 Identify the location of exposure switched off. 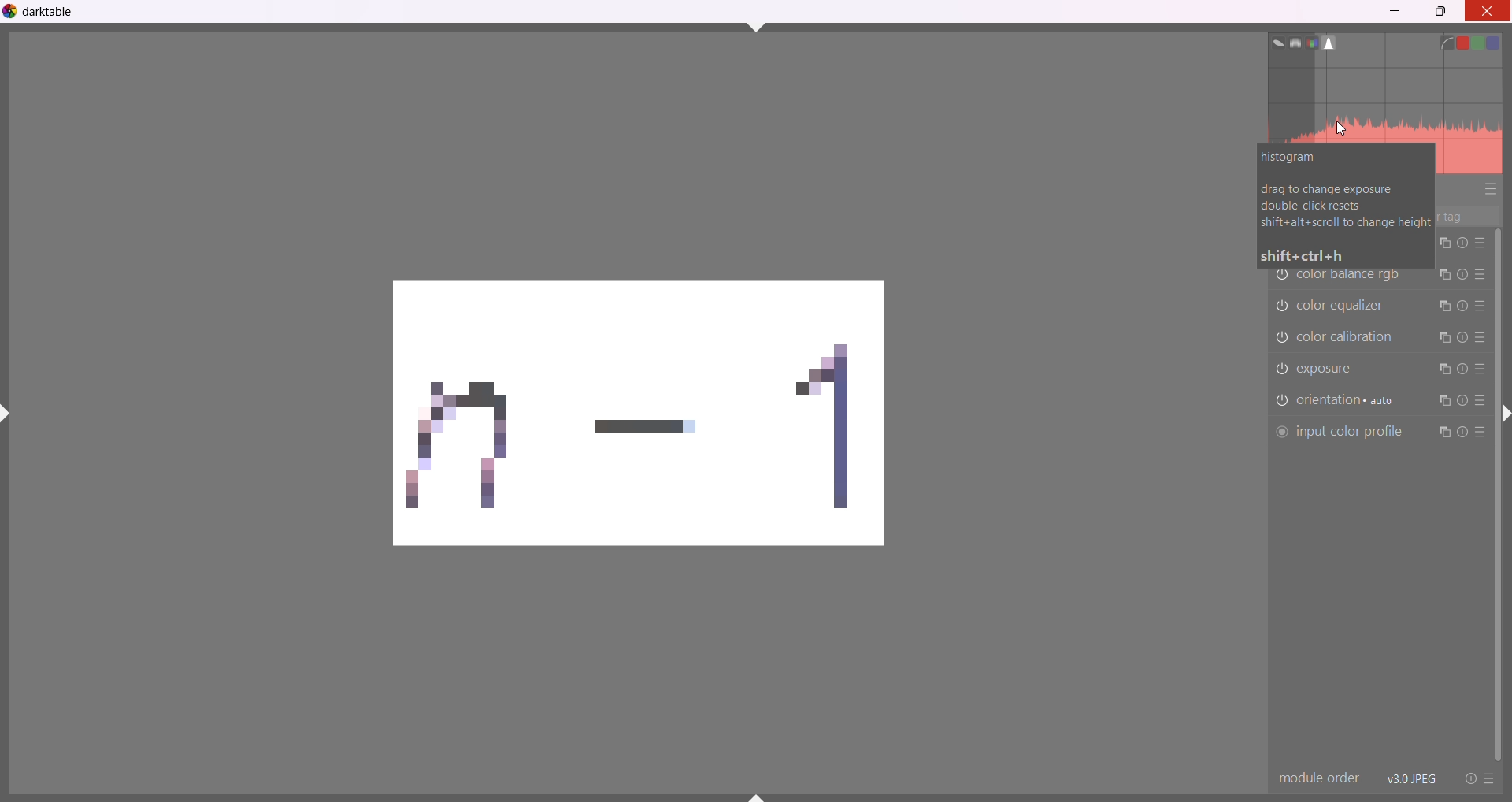
(1280, 369).